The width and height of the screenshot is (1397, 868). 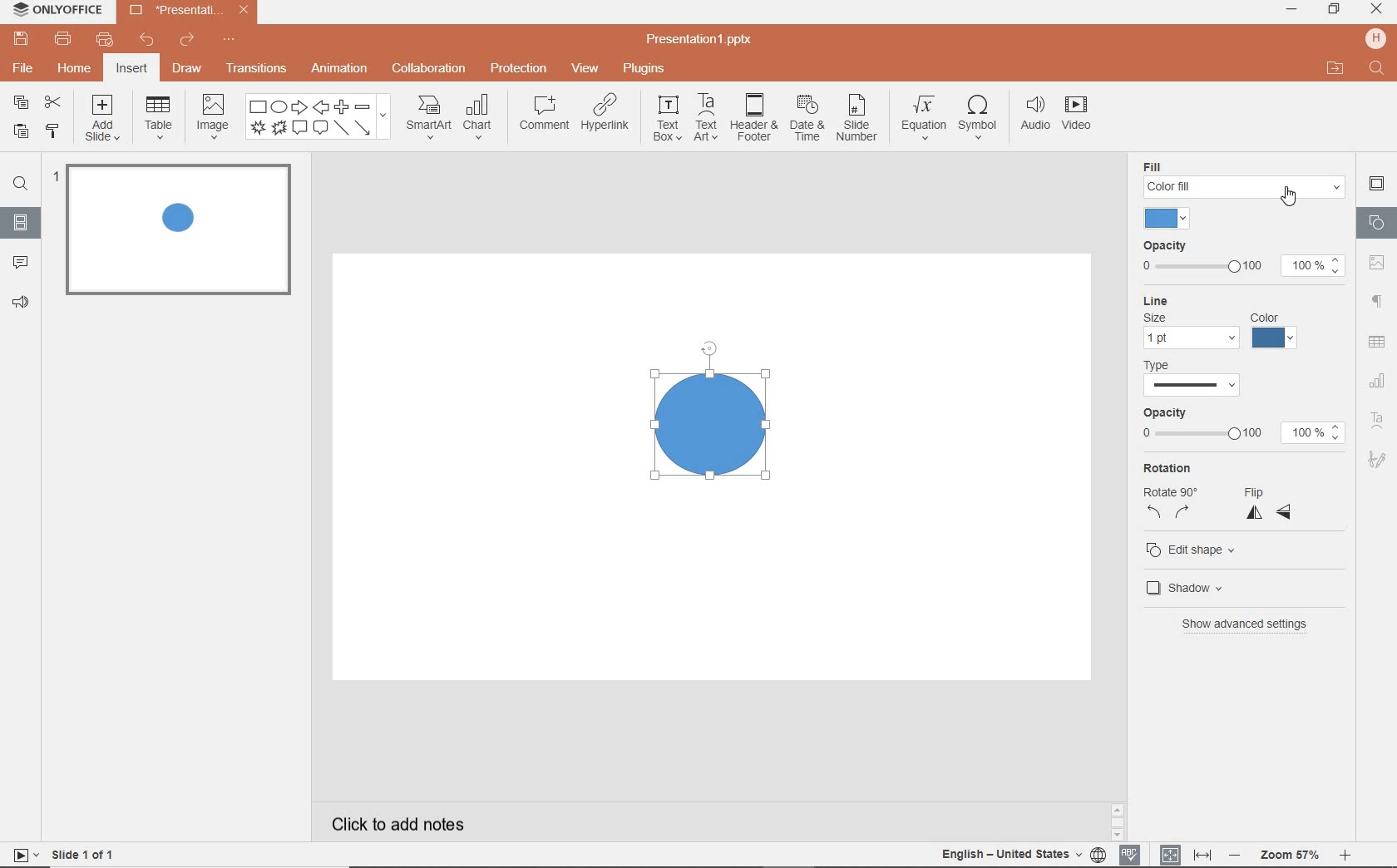 What do you see at coordinates (21, 225) in the screenshot?
I see `slides` at bounding box center [21, 225].